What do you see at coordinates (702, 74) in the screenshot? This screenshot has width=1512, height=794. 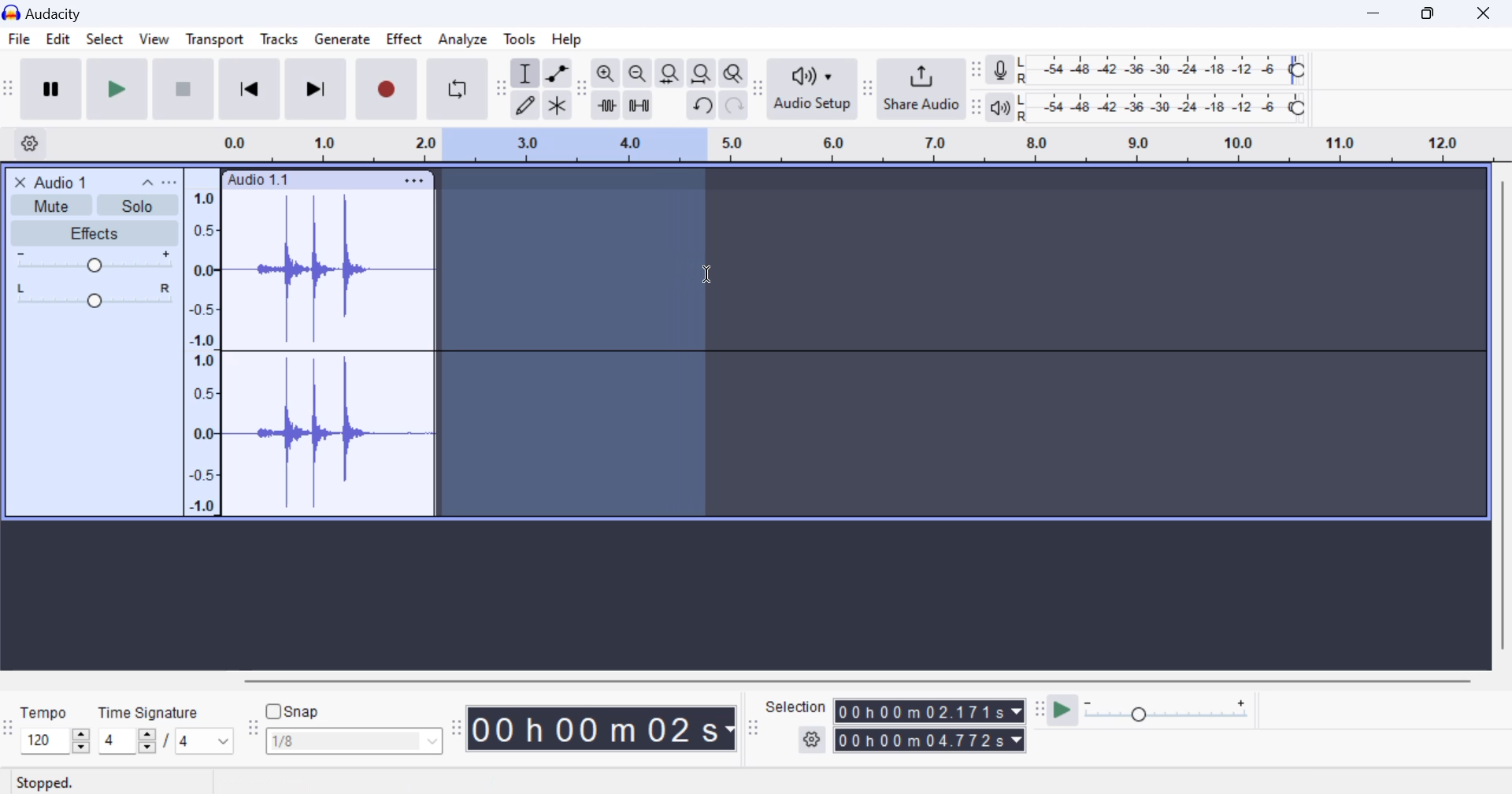 I see `fit project to width` at bounding box center [702, 74].